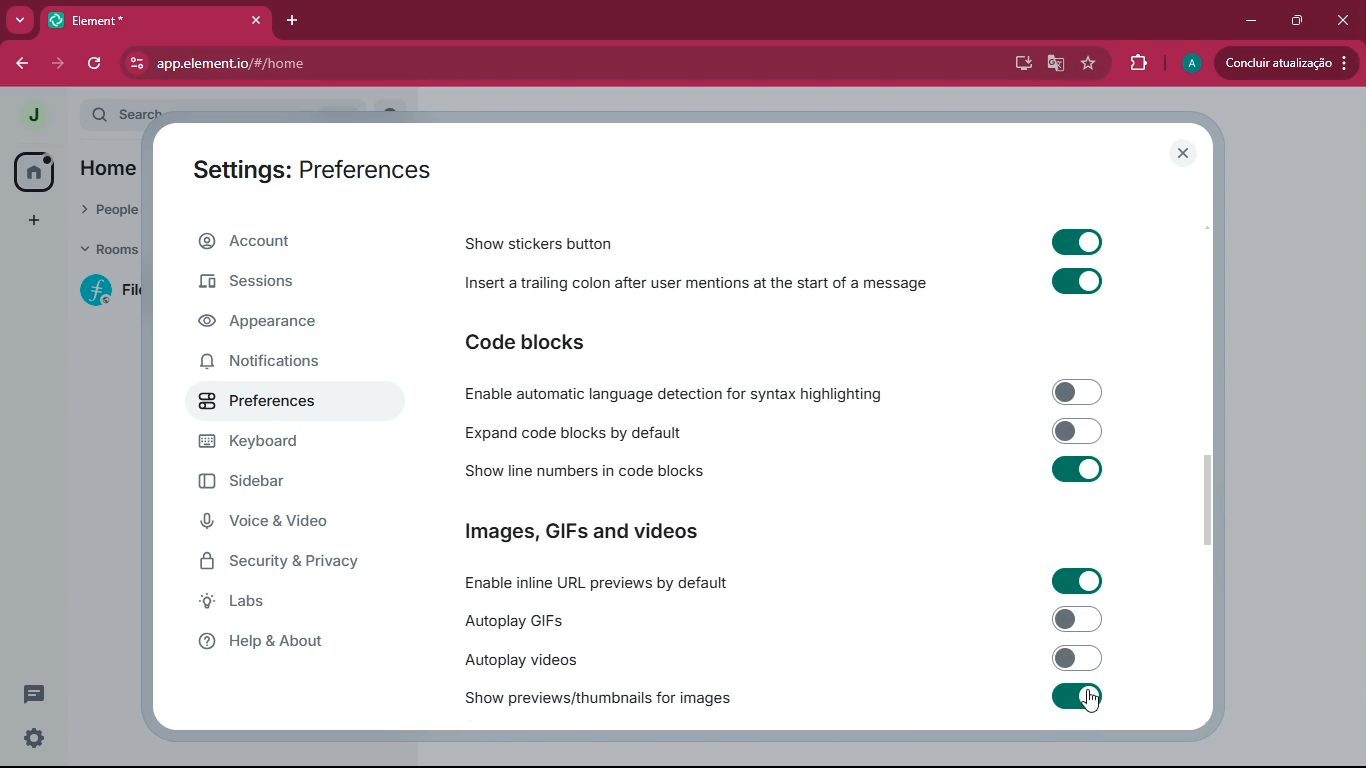  I want to click on Settings, so click(37, 741).